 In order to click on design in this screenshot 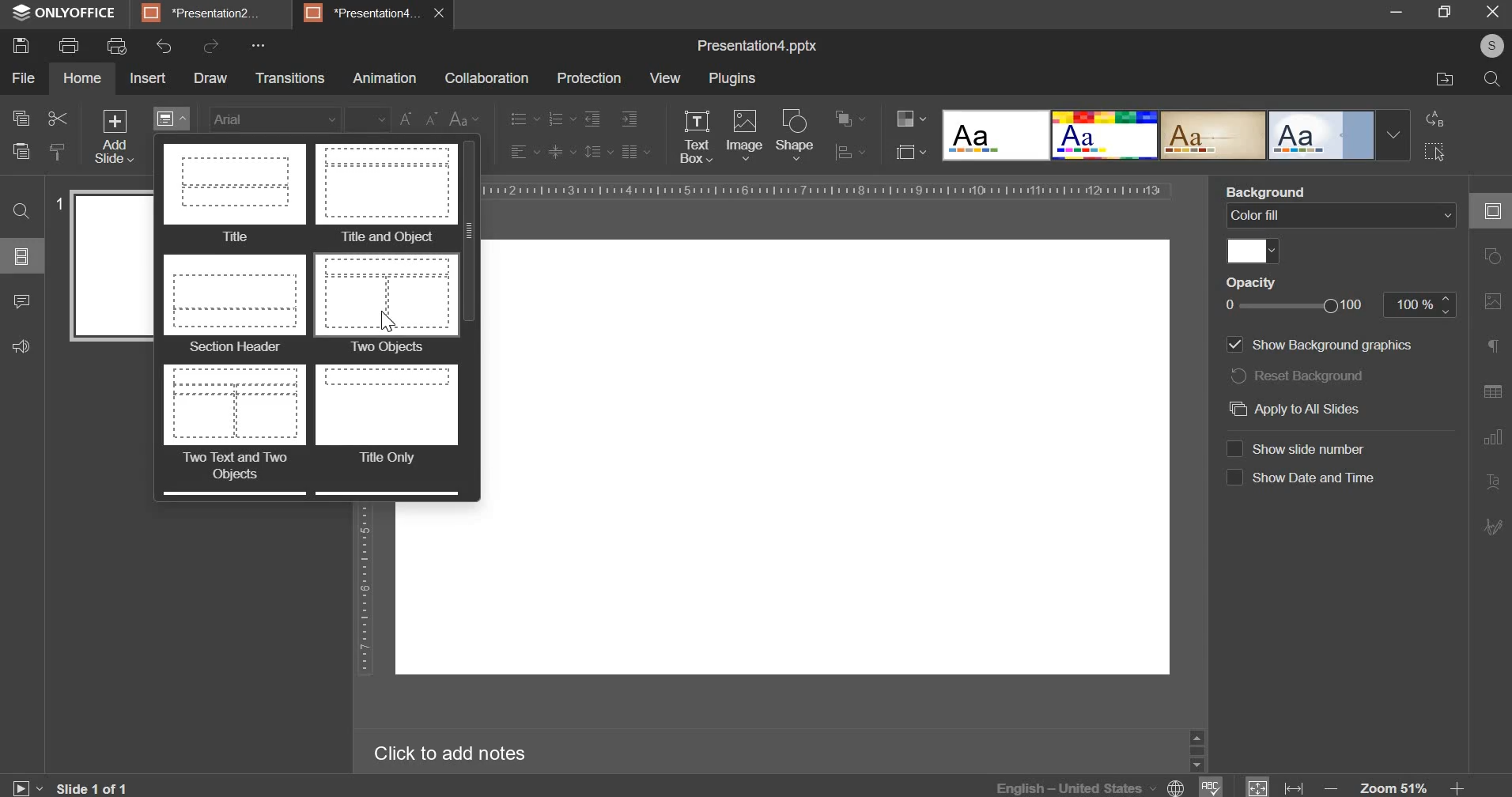, I will do `click(997, 136)`.